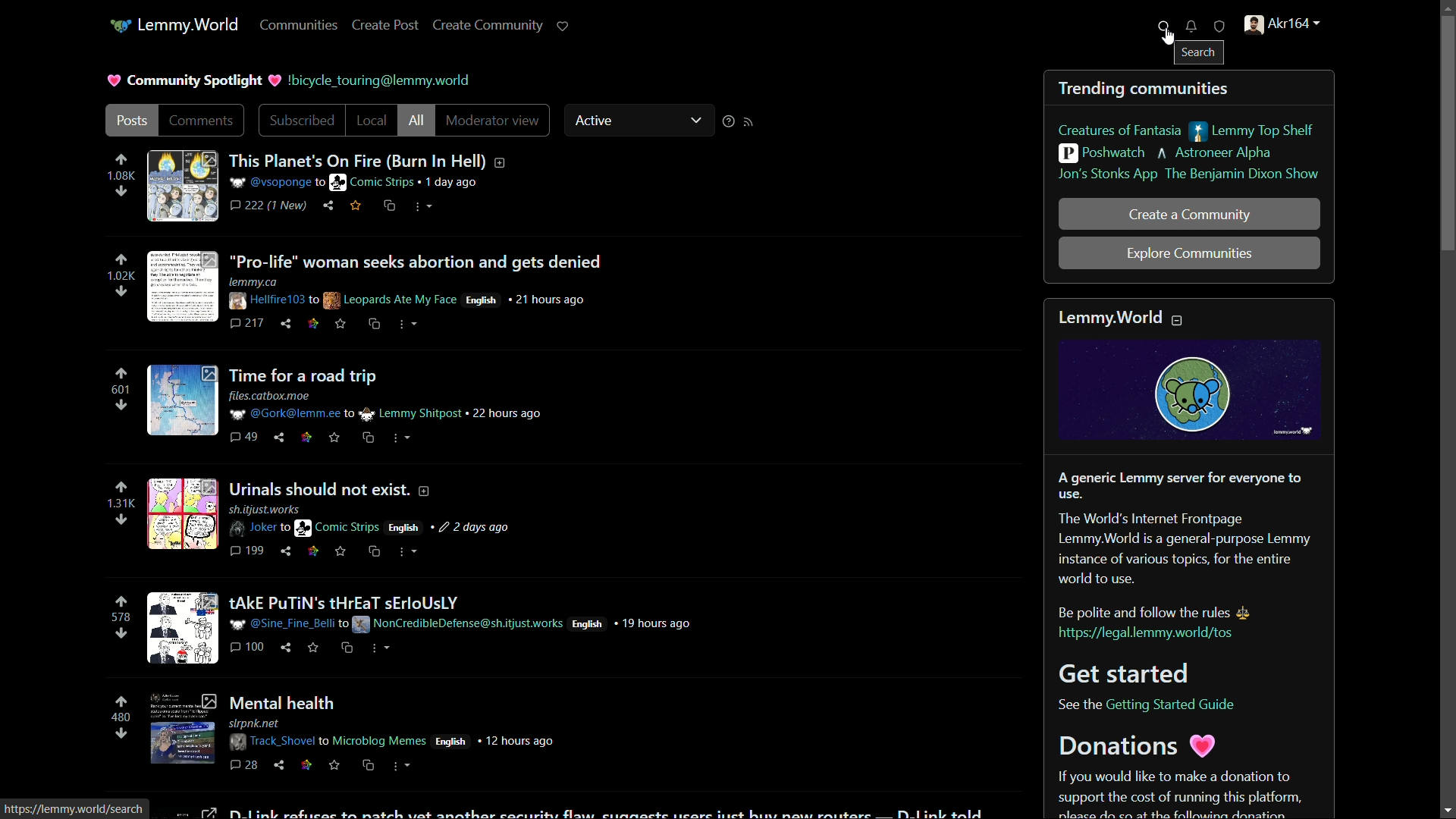 The image size is (1456, 819). Describe the element at coordinates (121, 601) in the screenshot. I see `upvote` at that location.